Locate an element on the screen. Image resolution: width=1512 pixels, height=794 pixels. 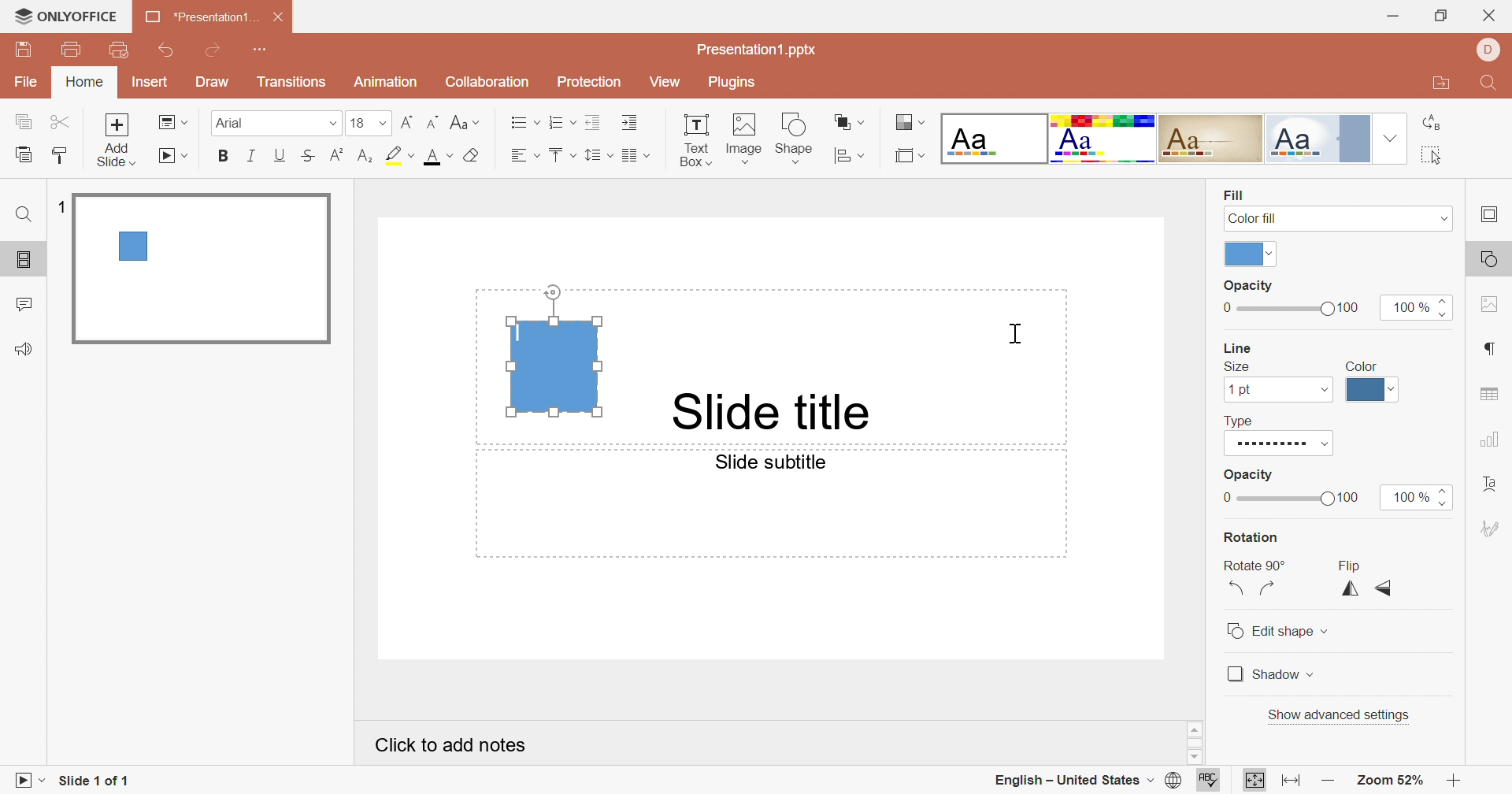
SET DOCUMENT LANGUAGE is located at coordinates (1173, 781).